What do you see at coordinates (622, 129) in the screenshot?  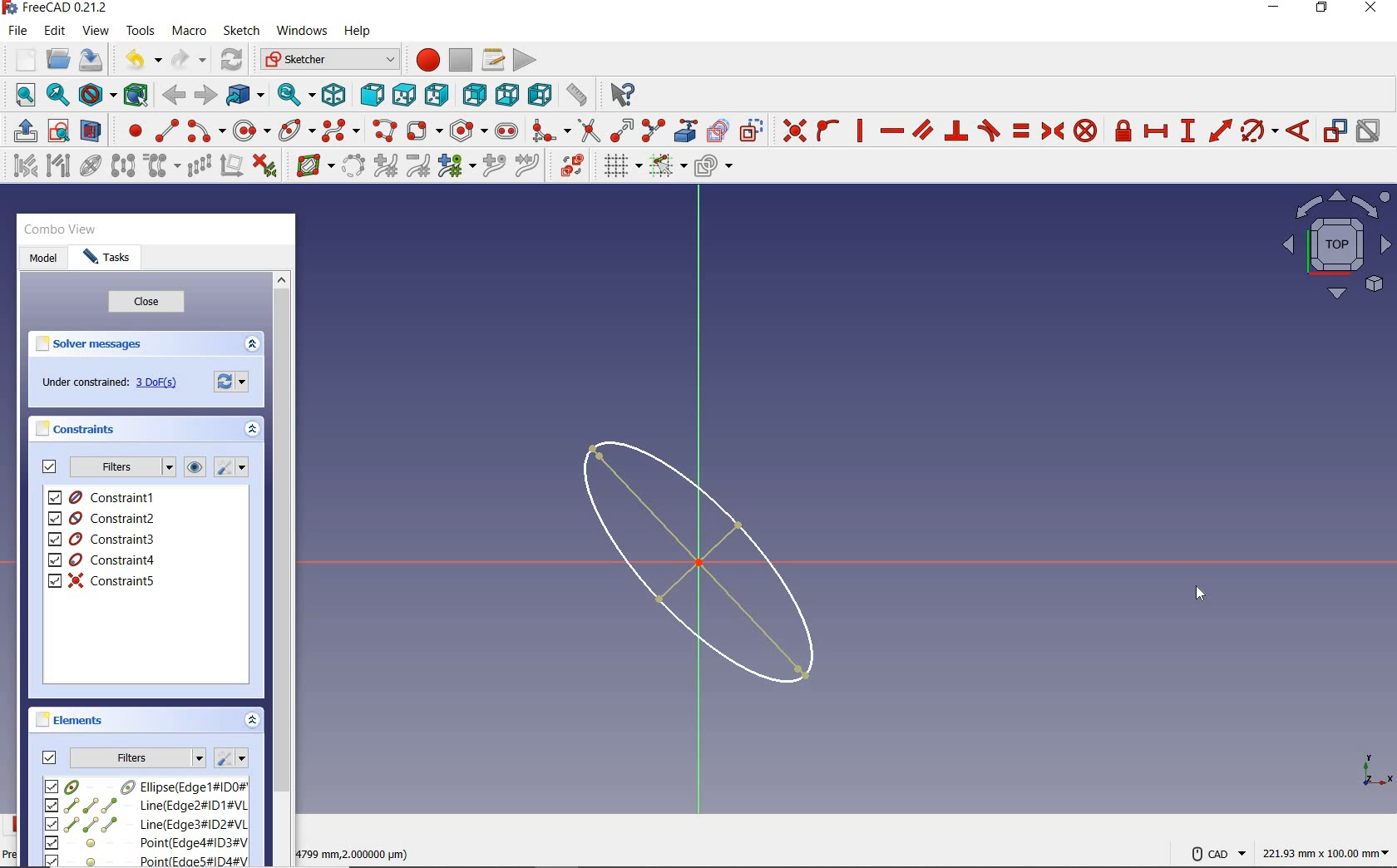 I see `extend edge` at bounding box center [622, 129].